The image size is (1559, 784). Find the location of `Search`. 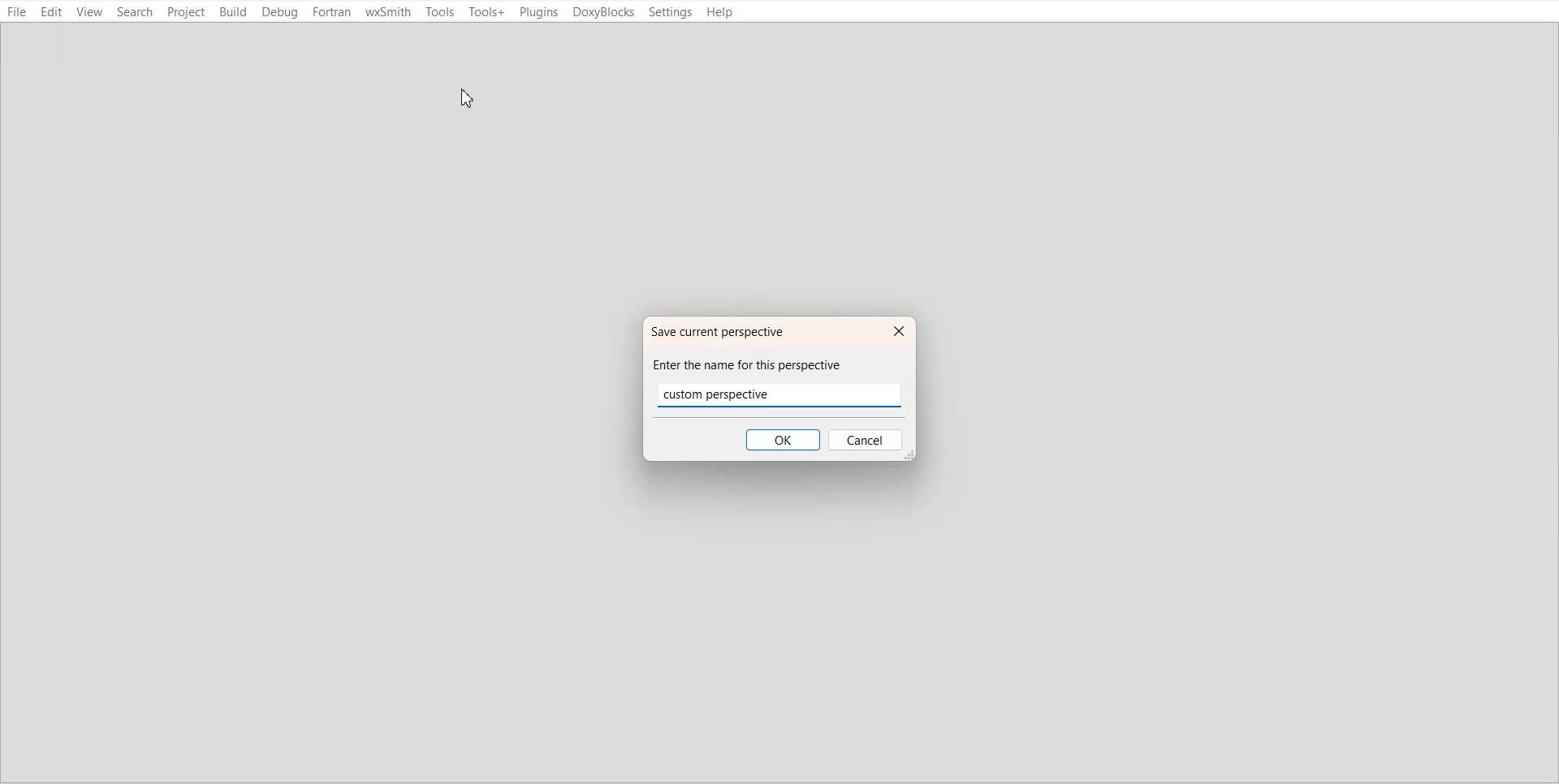

Search is located at coordinates (135, 12).